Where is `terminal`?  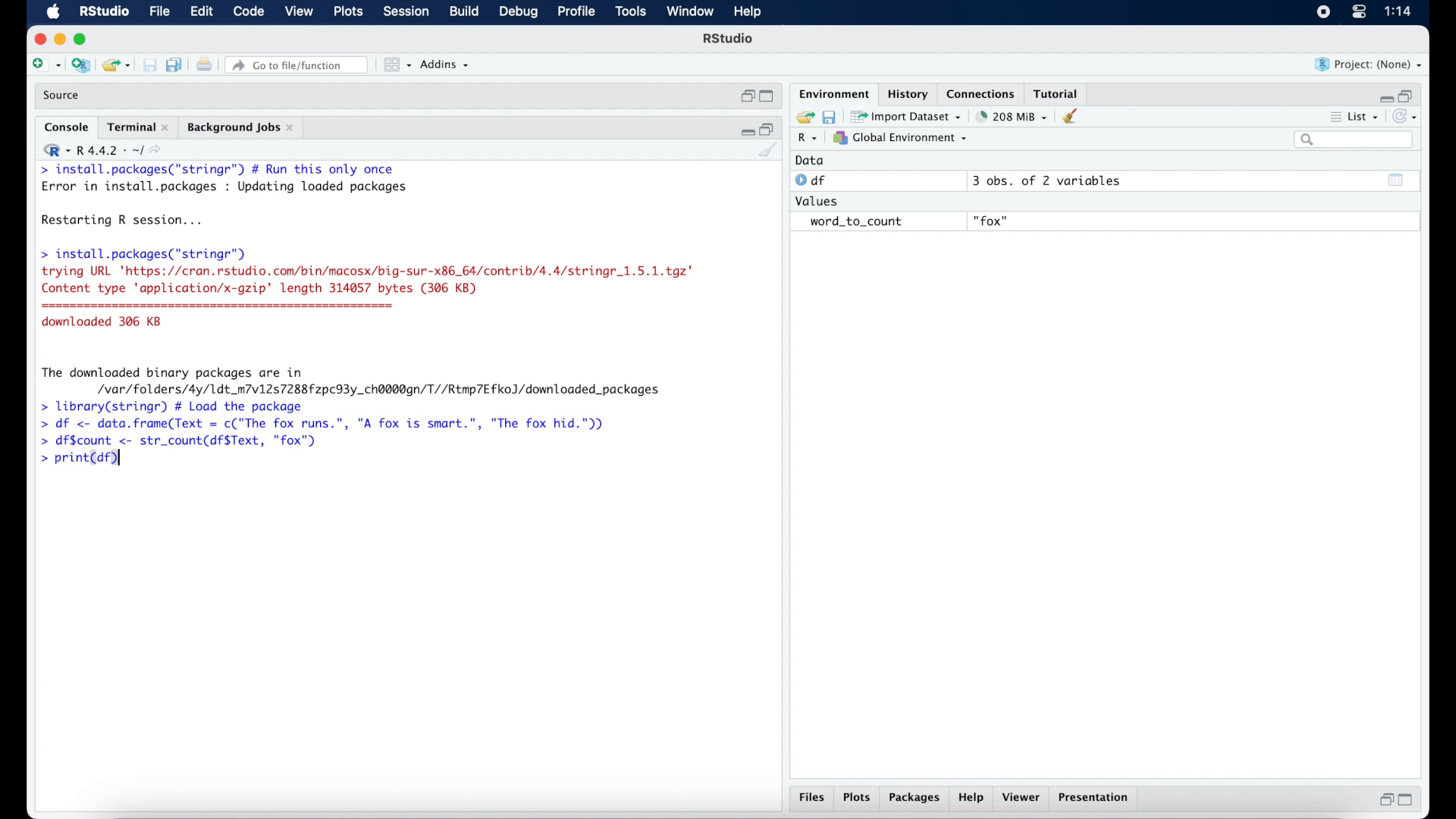 terminal is located at coordinates (138, 127).